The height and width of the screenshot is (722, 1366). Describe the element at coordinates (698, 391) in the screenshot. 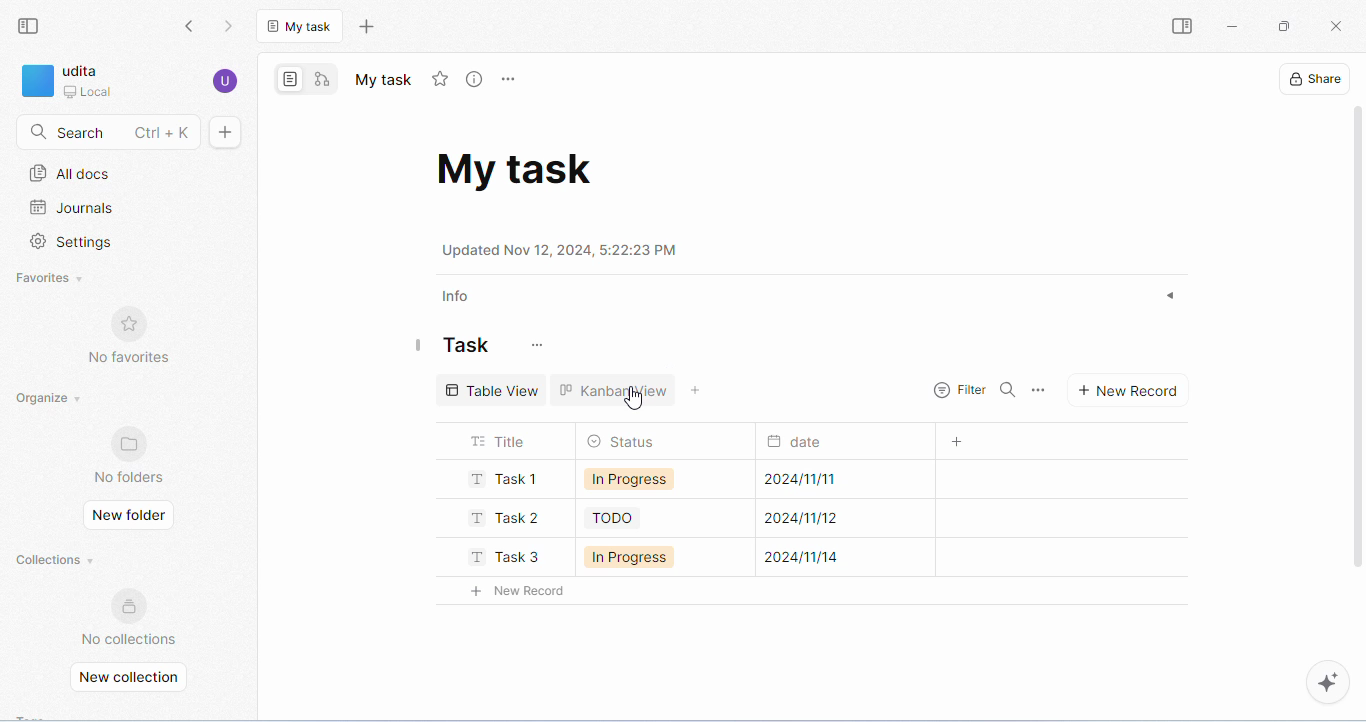

I see `change view` at that location.